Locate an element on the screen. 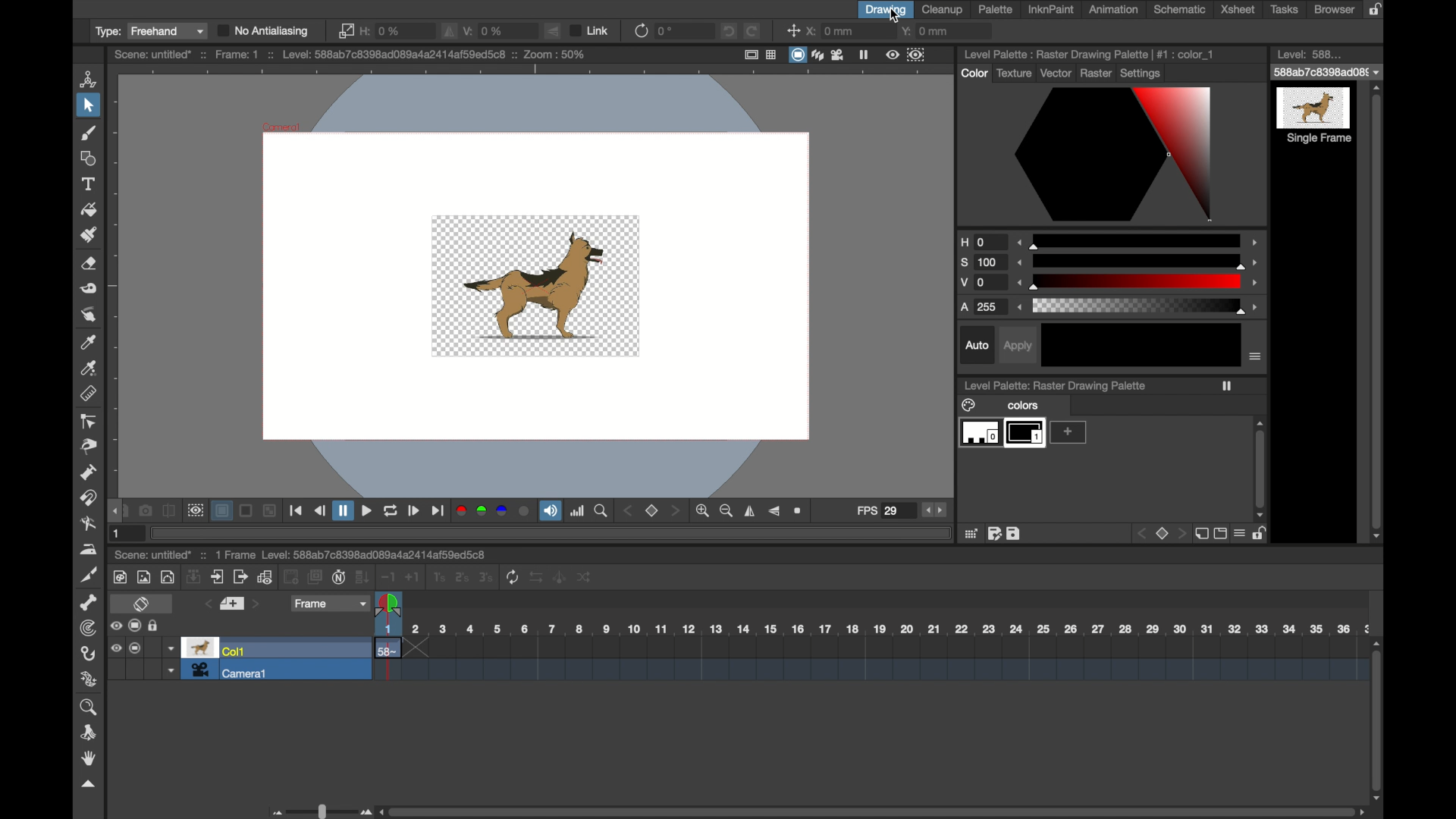  undo is located at coordinates (729, 31).